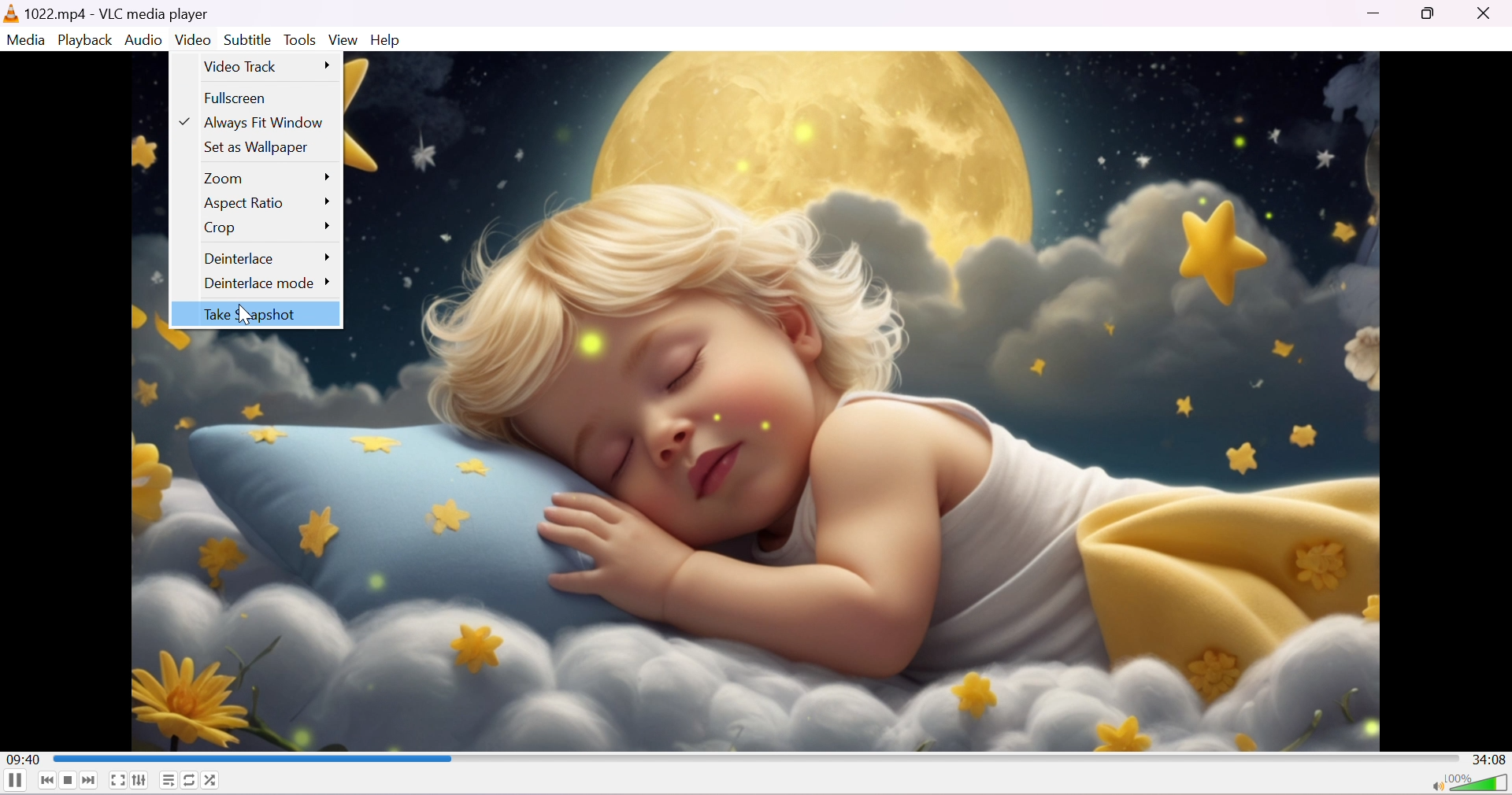 This screenshot has width=1512, height=795. Describe the element at coordinates (1375, 18) in the screenshot. I see `Minimize` at that location.